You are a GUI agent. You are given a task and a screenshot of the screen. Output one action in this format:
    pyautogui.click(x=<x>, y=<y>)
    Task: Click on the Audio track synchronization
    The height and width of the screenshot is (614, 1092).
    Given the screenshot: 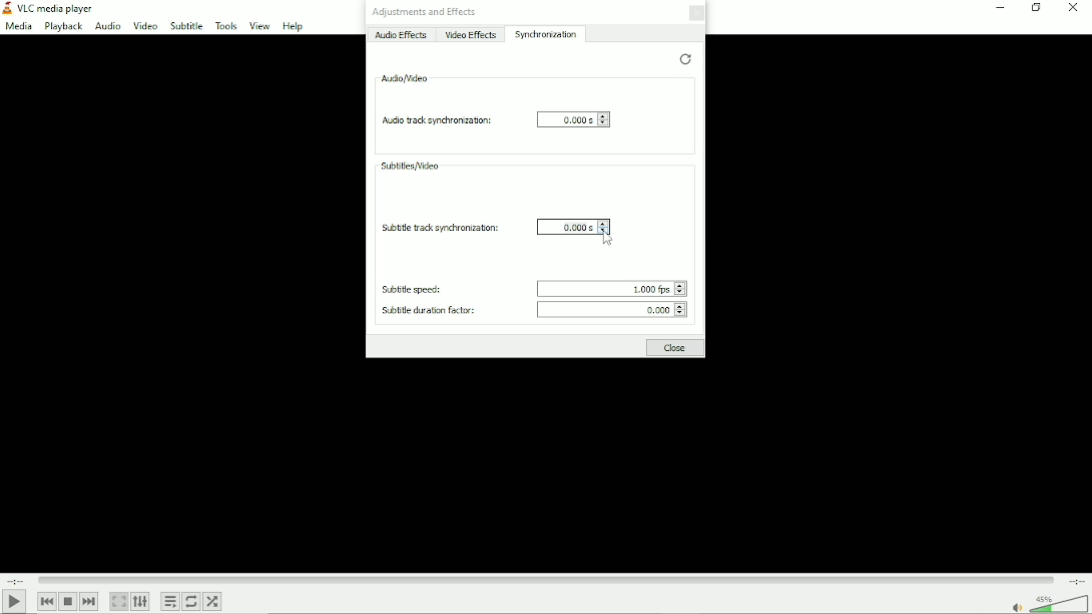 What is the action you would take?
    pyautogui.click(x=434, y=120)
    